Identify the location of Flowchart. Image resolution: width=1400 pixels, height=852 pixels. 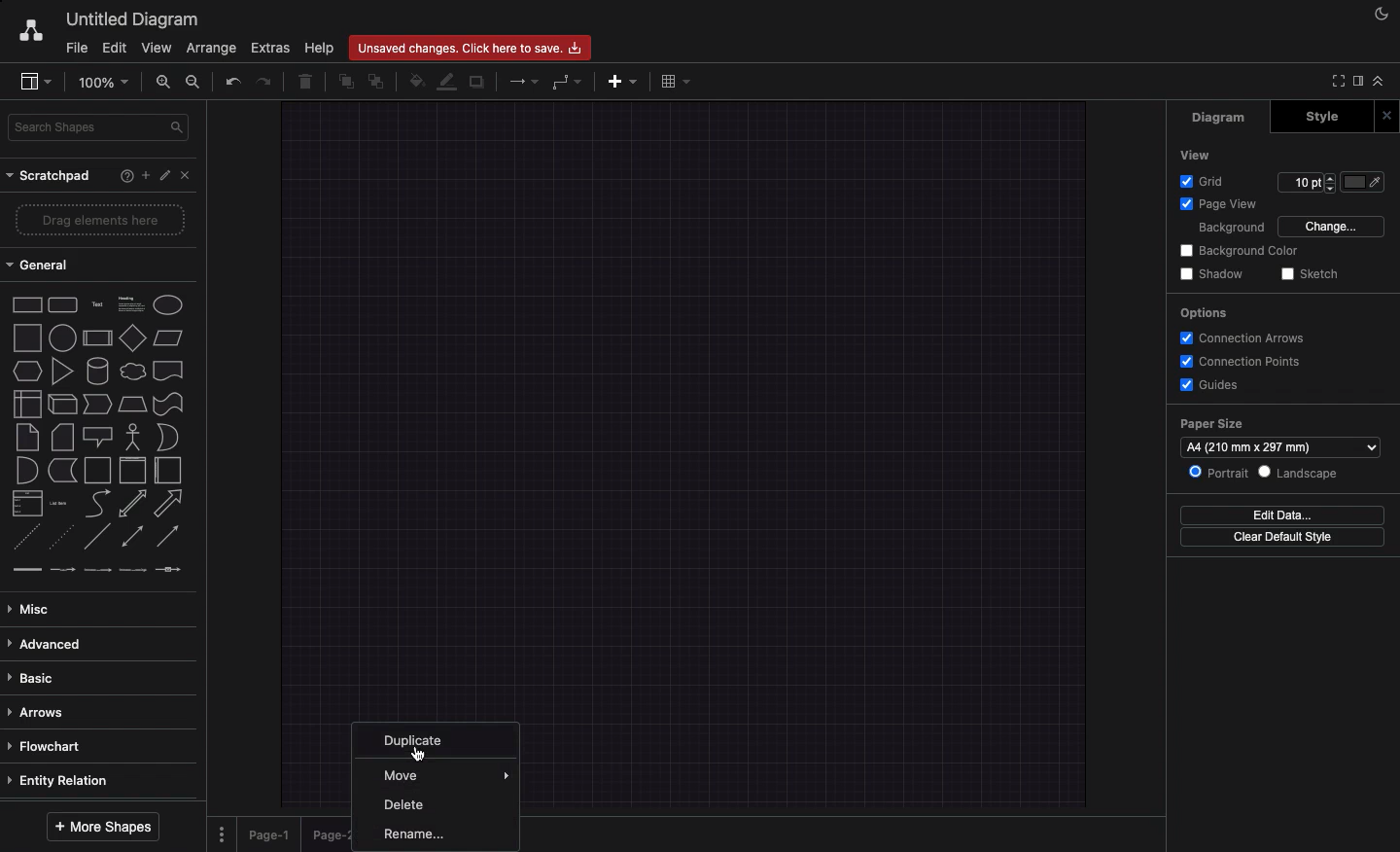
(50, 748).